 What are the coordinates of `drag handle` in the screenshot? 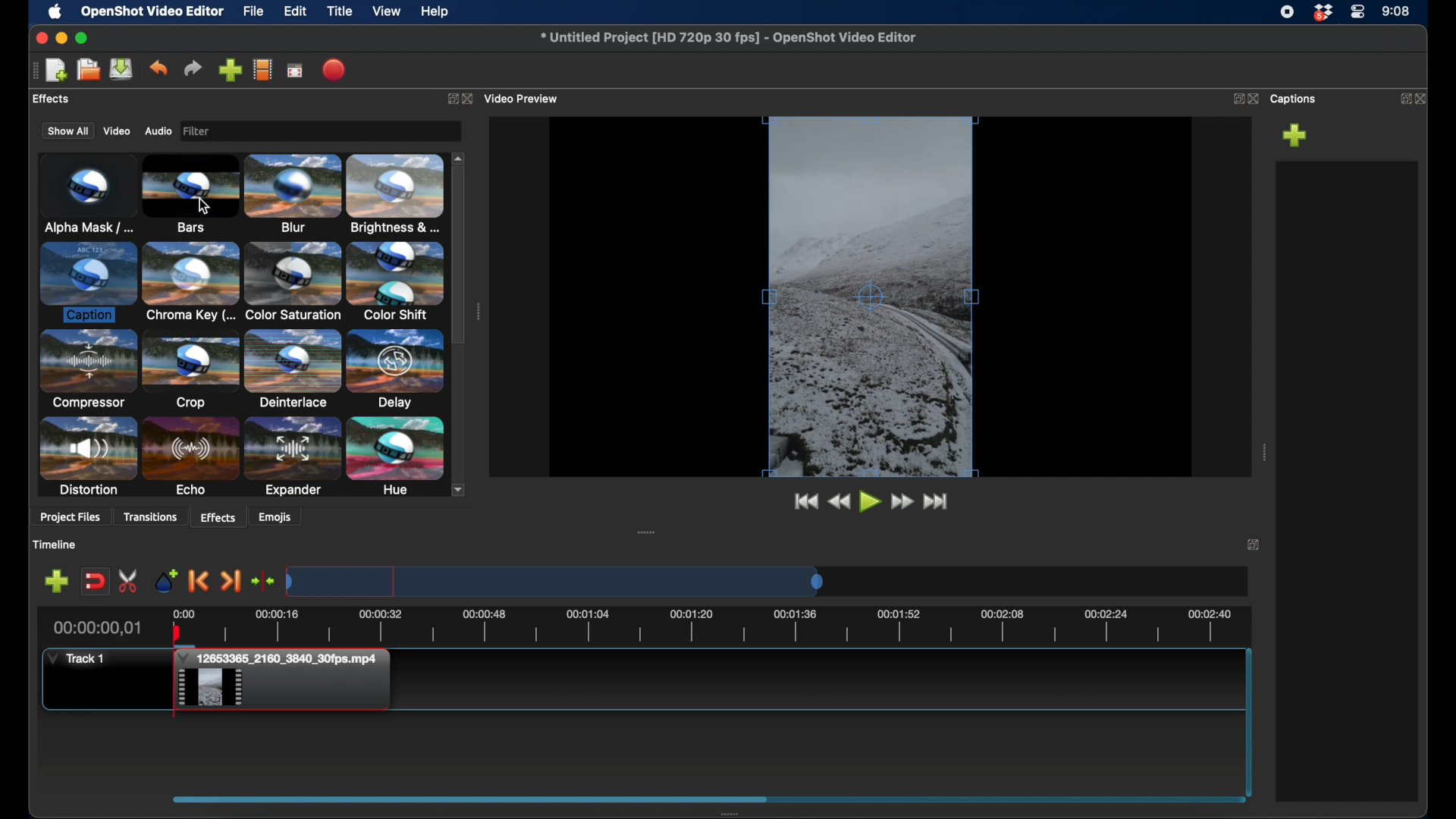 It's located at (646, 531).